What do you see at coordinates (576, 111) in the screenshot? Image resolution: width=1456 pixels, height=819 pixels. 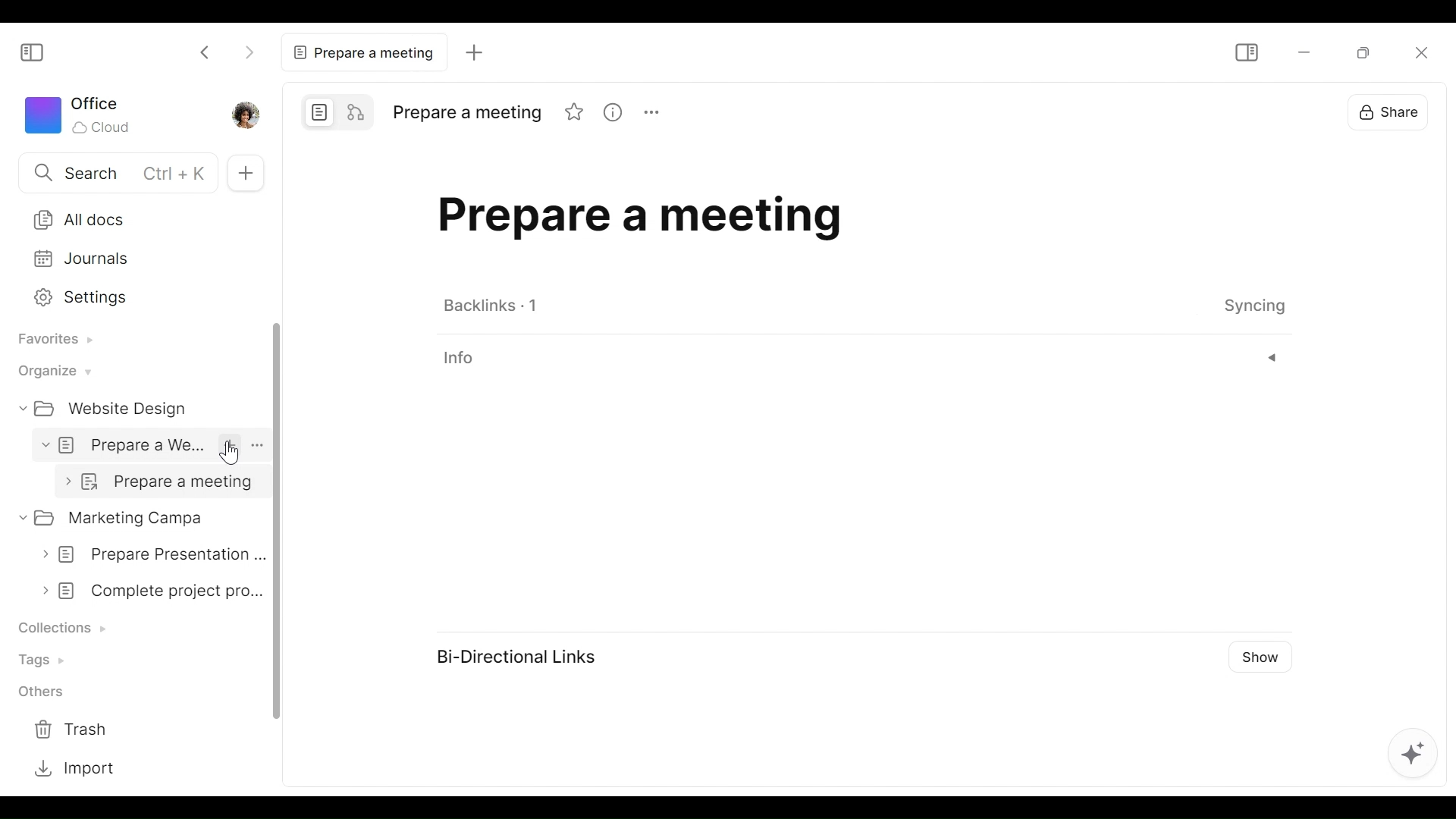 I see `Favorite` at bounding box center [576, 111].